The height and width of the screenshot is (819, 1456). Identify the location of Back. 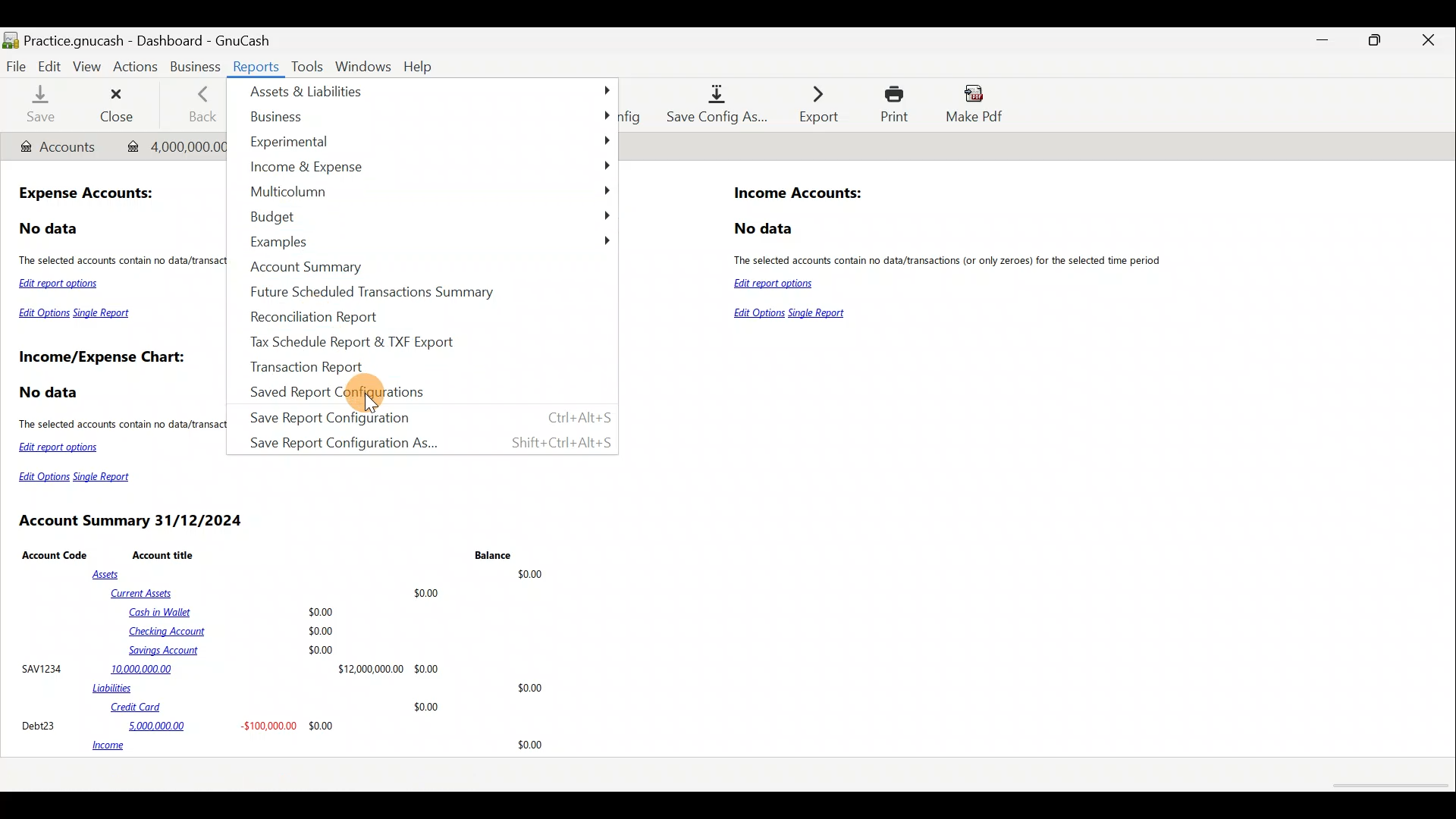
(202, 102).